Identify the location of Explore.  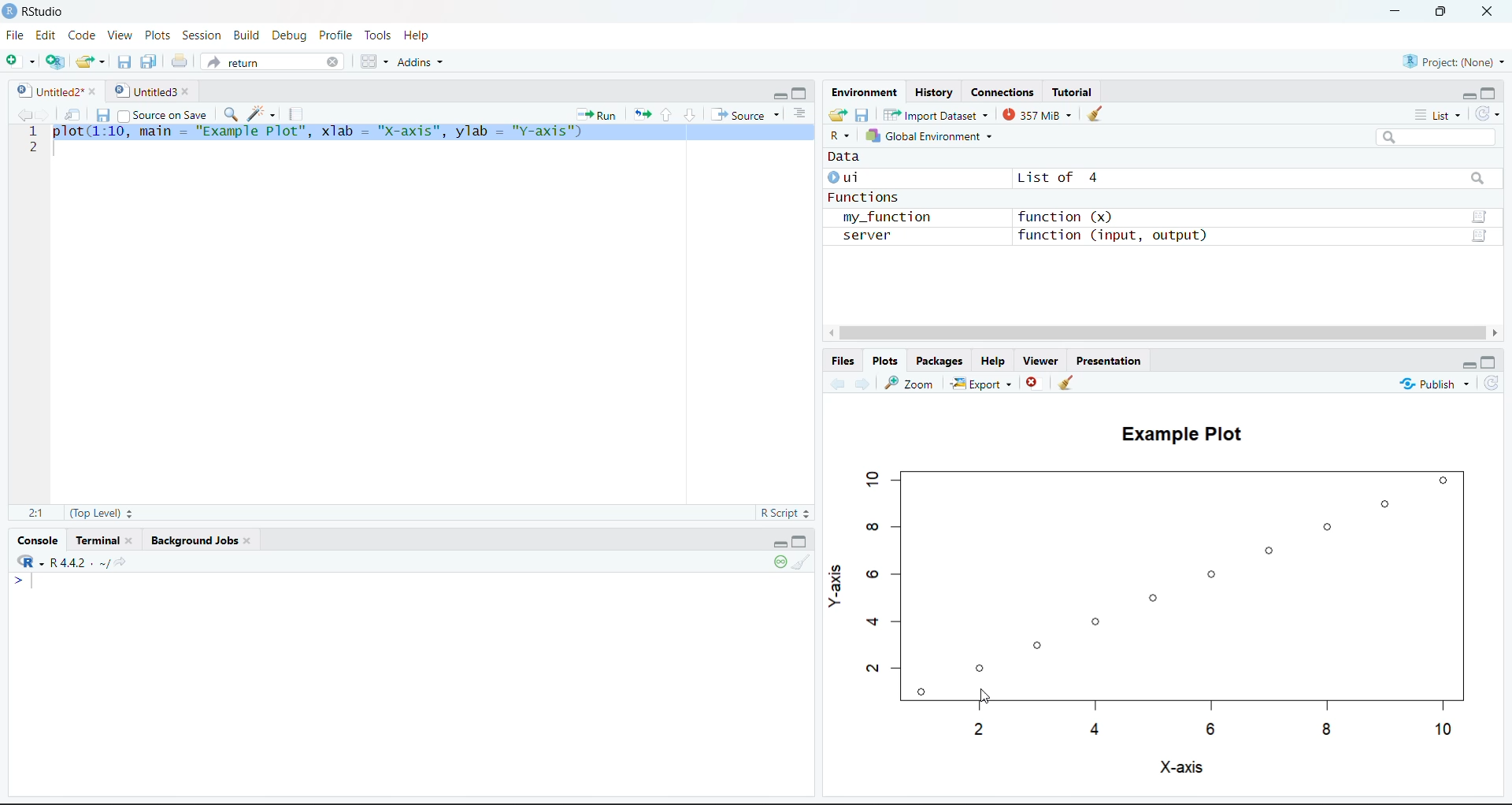
(984, 382).